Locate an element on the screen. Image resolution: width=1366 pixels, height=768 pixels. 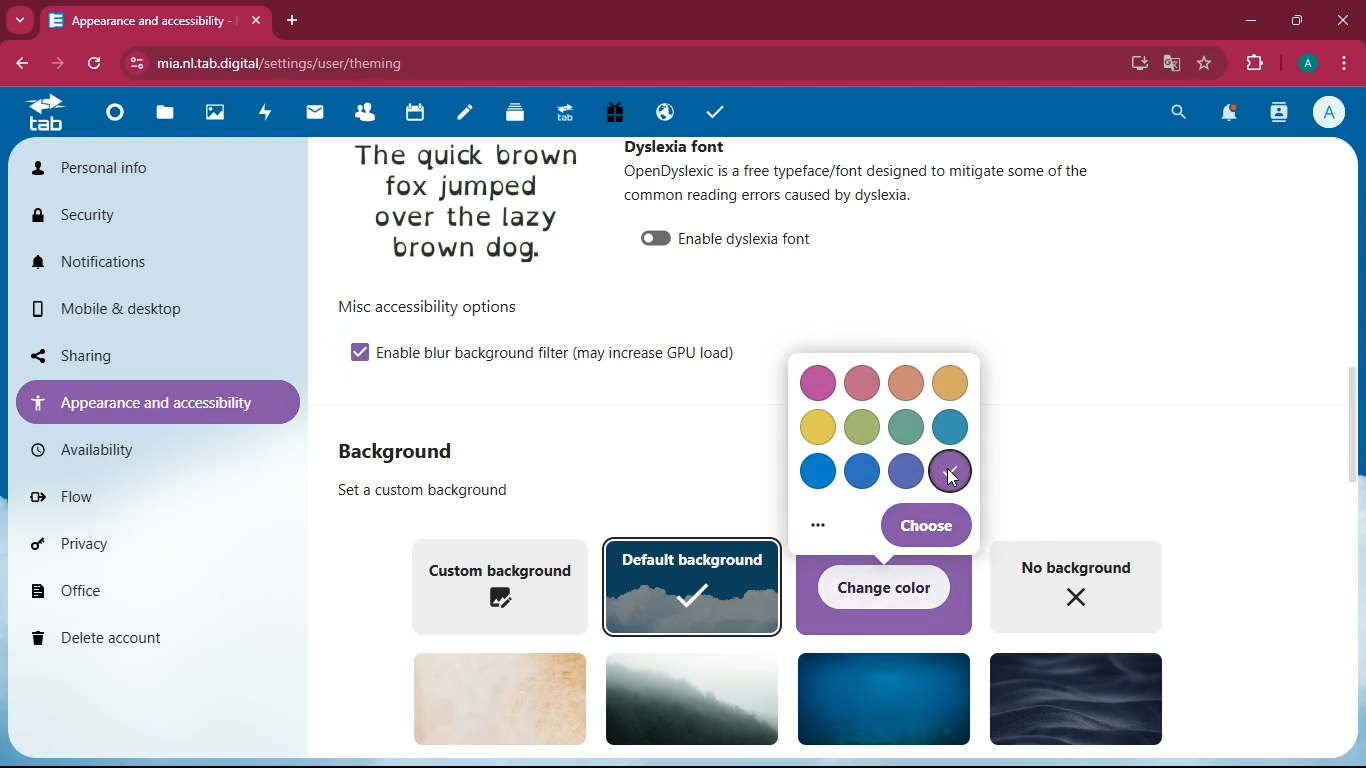
maximize is located at coordinates (1299, 21).